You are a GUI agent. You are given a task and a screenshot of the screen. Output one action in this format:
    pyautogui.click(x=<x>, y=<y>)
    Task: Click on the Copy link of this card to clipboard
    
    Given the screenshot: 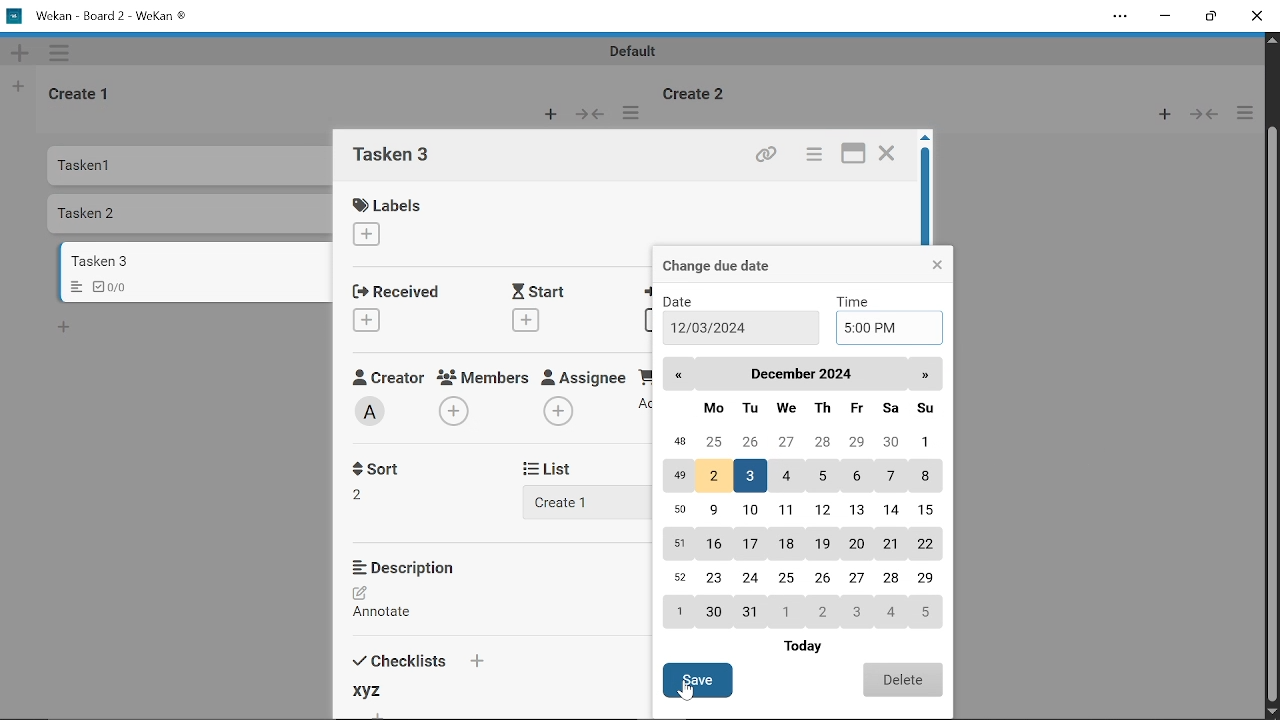 What is the action you would take?
    pyautogui.click(x=764, y=155)
    